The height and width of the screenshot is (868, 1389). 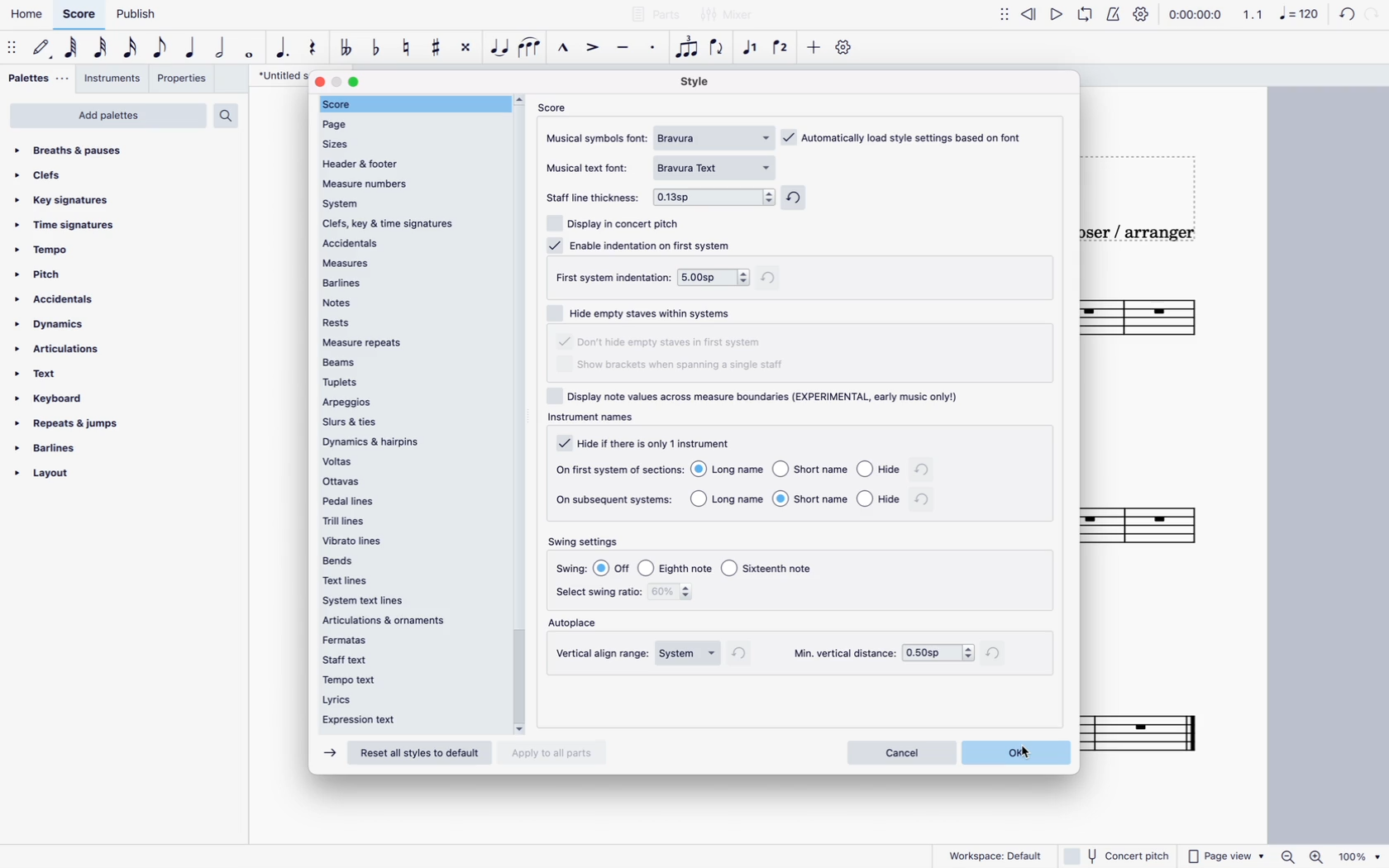 I want to click on Home, so click(x=29, y=10).